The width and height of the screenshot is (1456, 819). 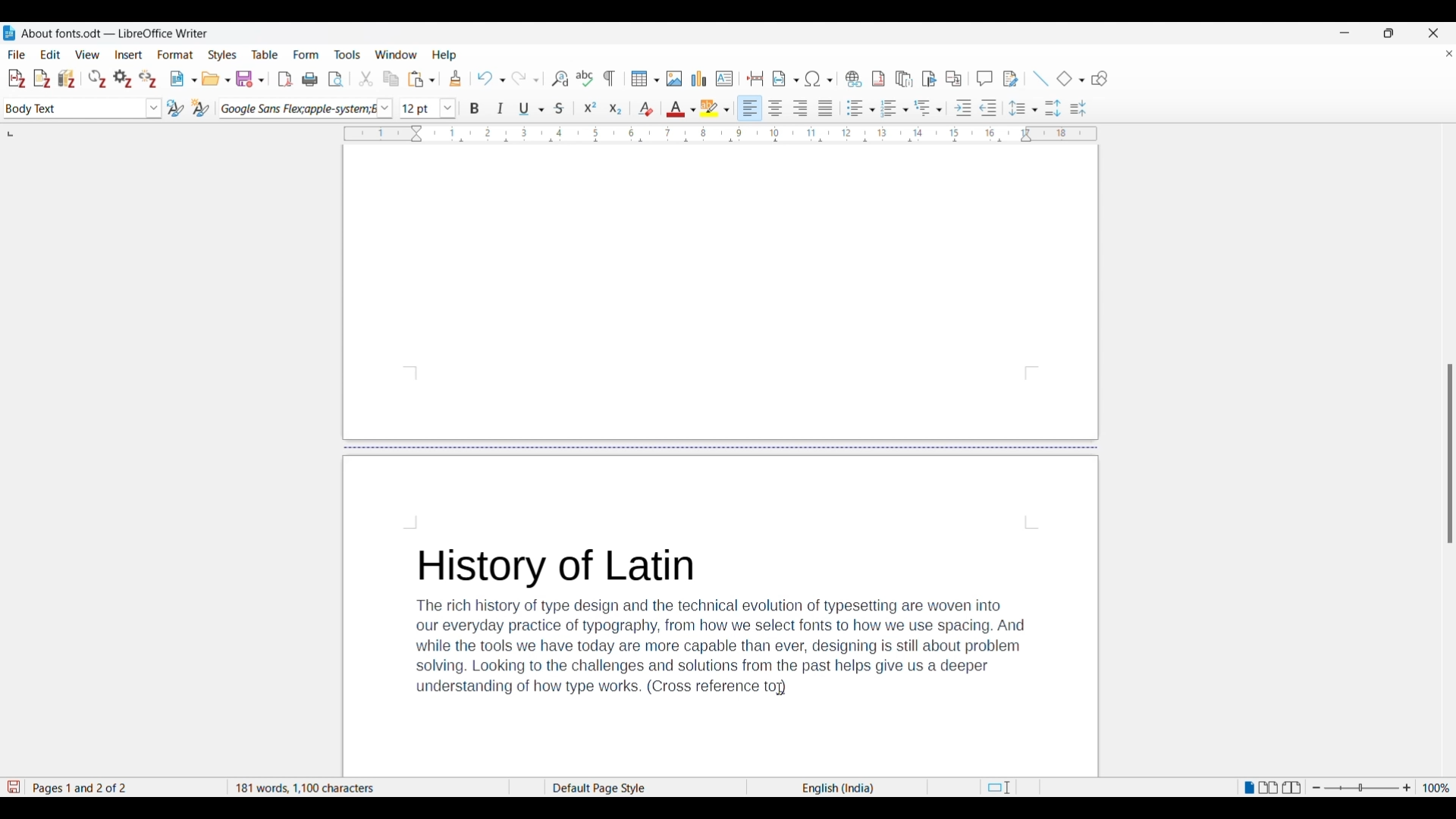 I want to click on Insert cross-reference, so click(x=953, y=79).